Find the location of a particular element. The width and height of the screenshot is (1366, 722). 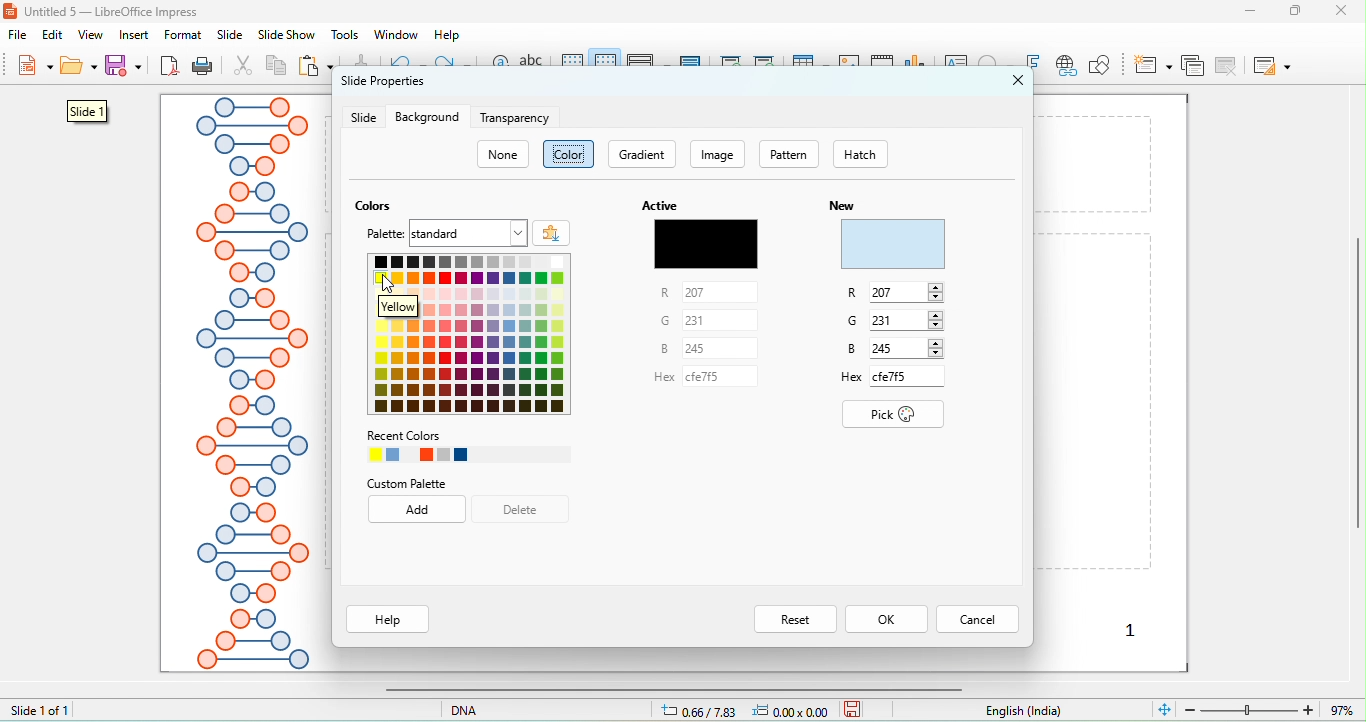

colors is located at coordinates (377, 206).